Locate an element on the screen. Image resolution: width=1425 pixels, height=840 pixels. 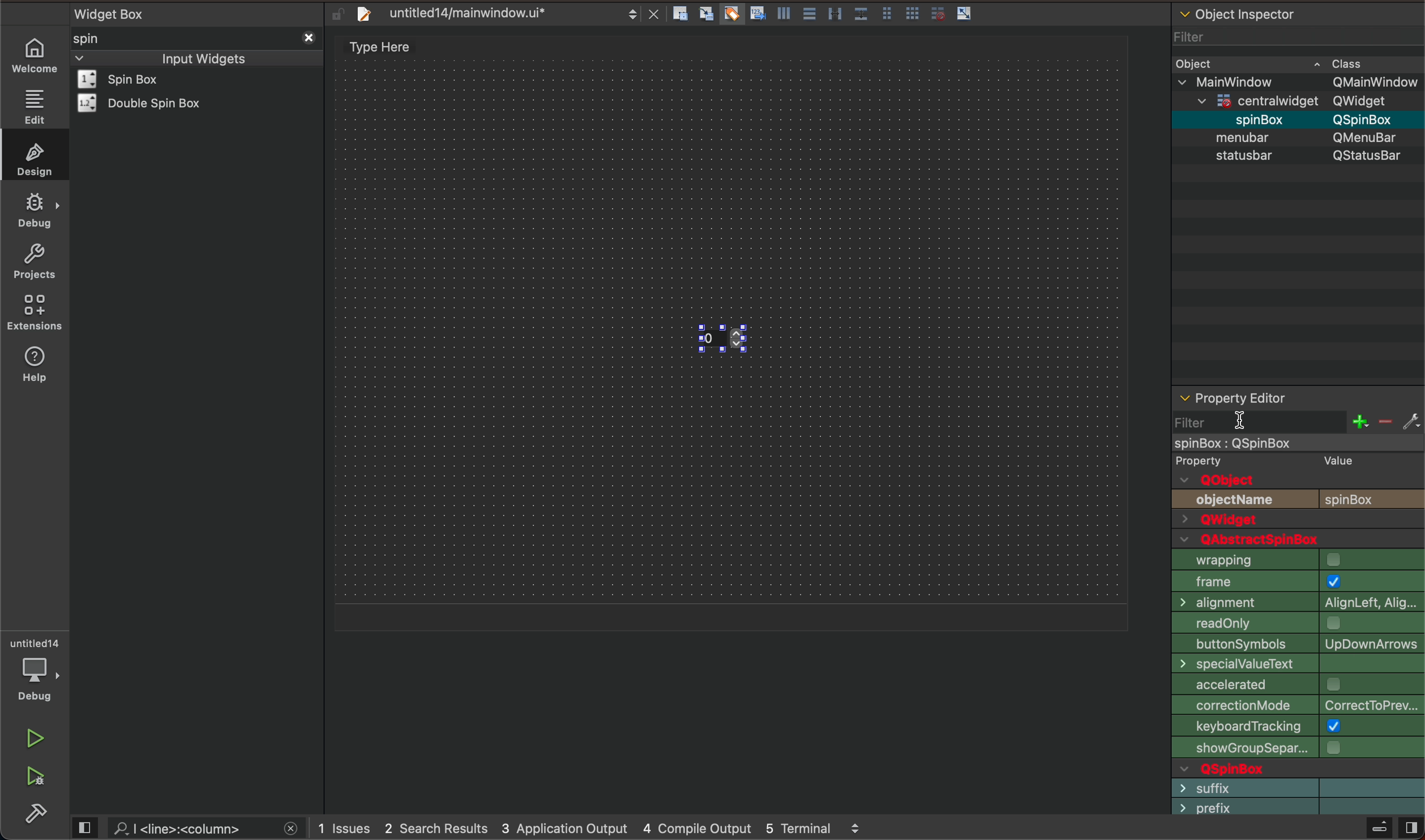
 is located at coordinates (1246, 81).